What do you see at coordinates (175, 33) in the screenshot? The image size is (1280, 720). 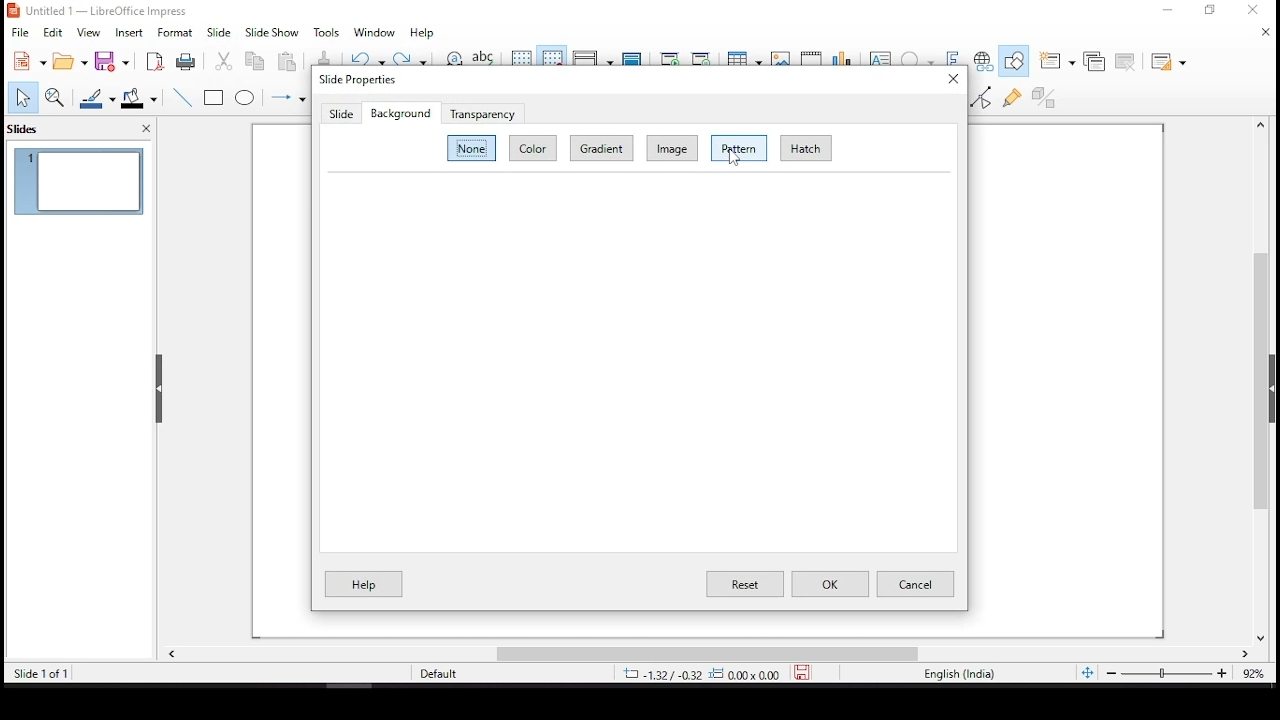 I see `format` at bounding box center [175, 33].